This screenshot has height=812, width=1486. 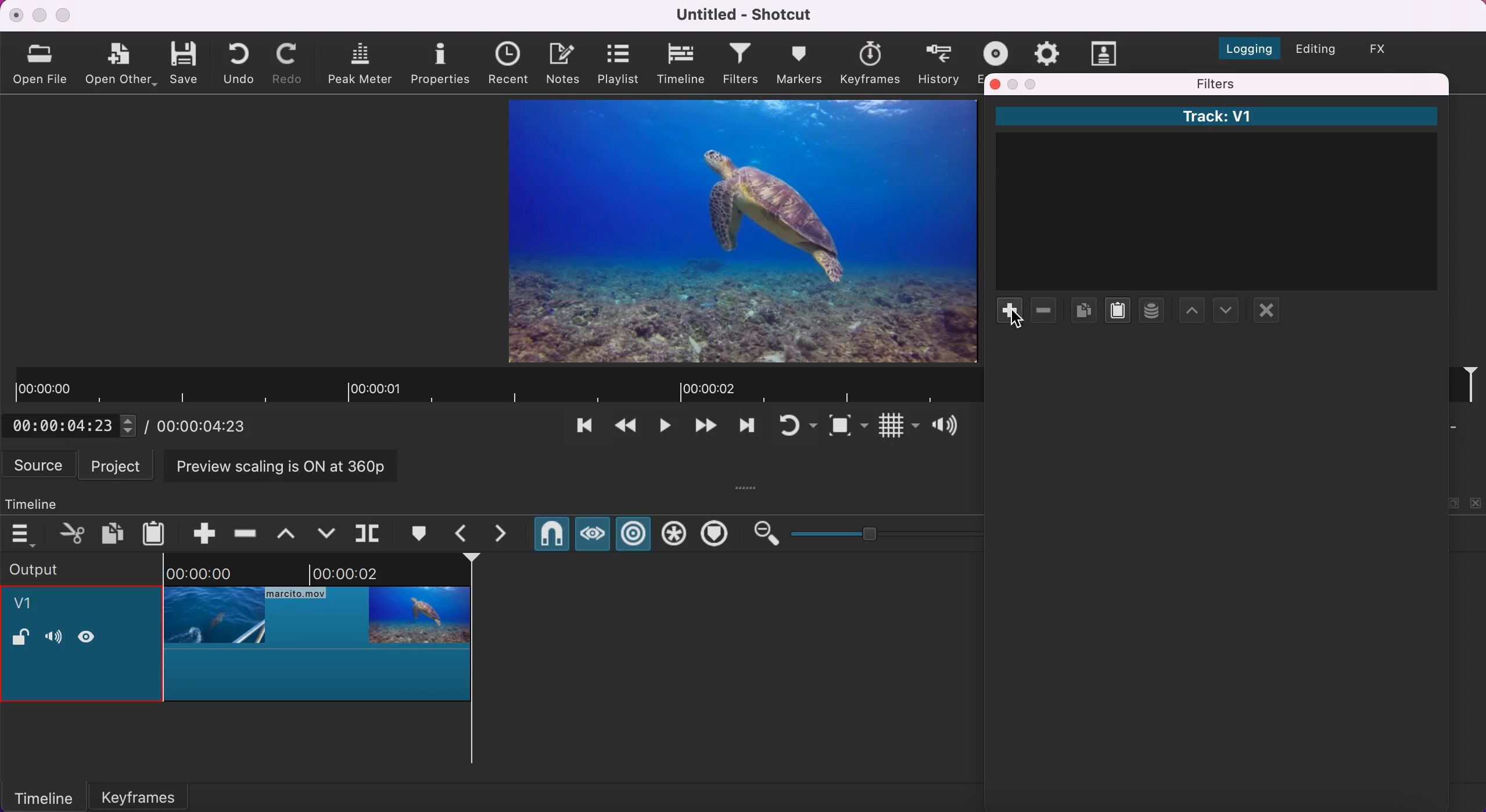 What do you see at coordinates (747, 15) in the screenshot?
I see `Untitled - Shotcut` at bounding box center [747, 15].